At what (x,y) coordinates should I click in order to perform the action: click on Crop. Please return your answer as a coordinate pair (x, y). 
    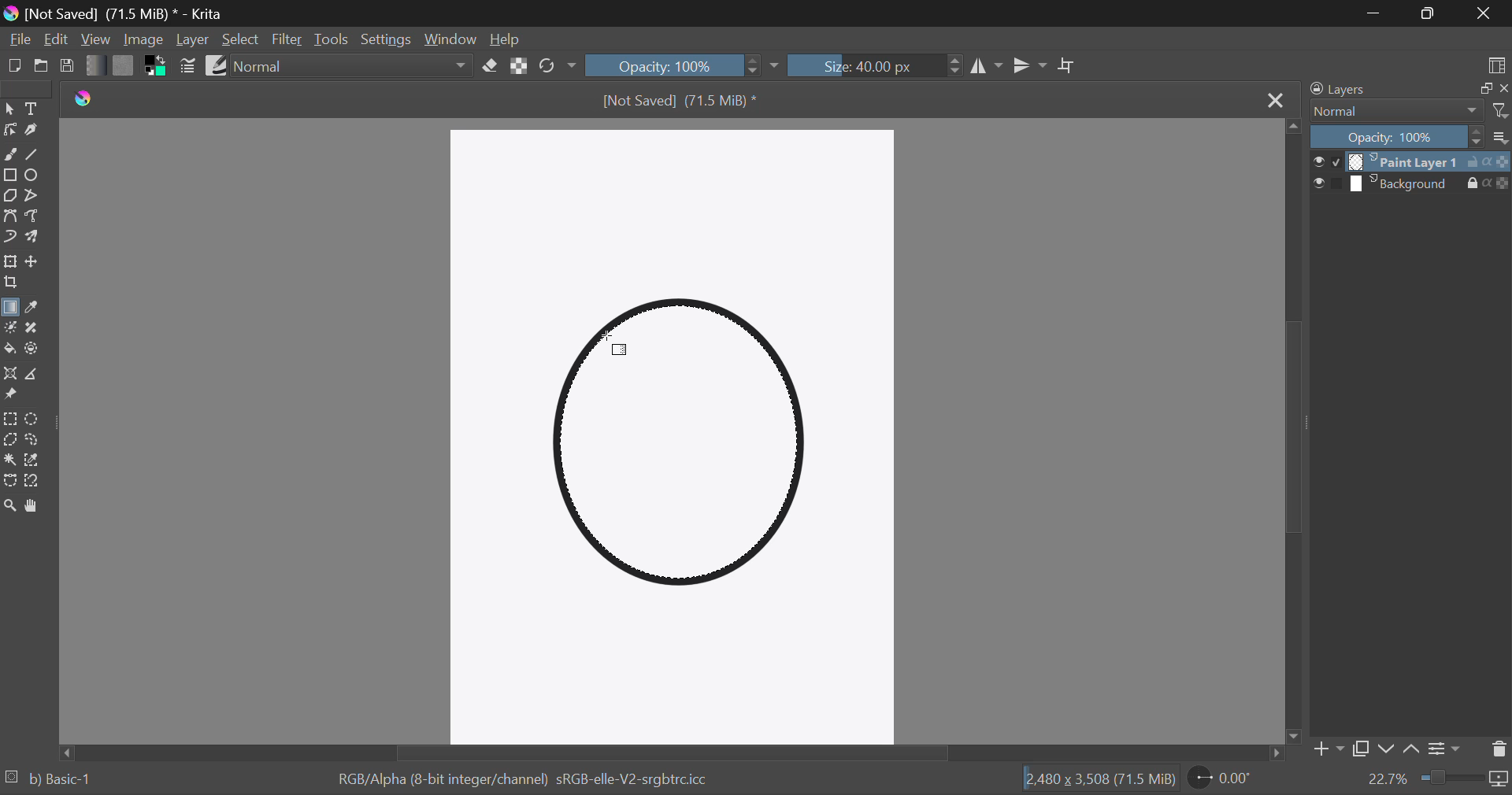
    Looking at the image, I should click on (1067, 66).